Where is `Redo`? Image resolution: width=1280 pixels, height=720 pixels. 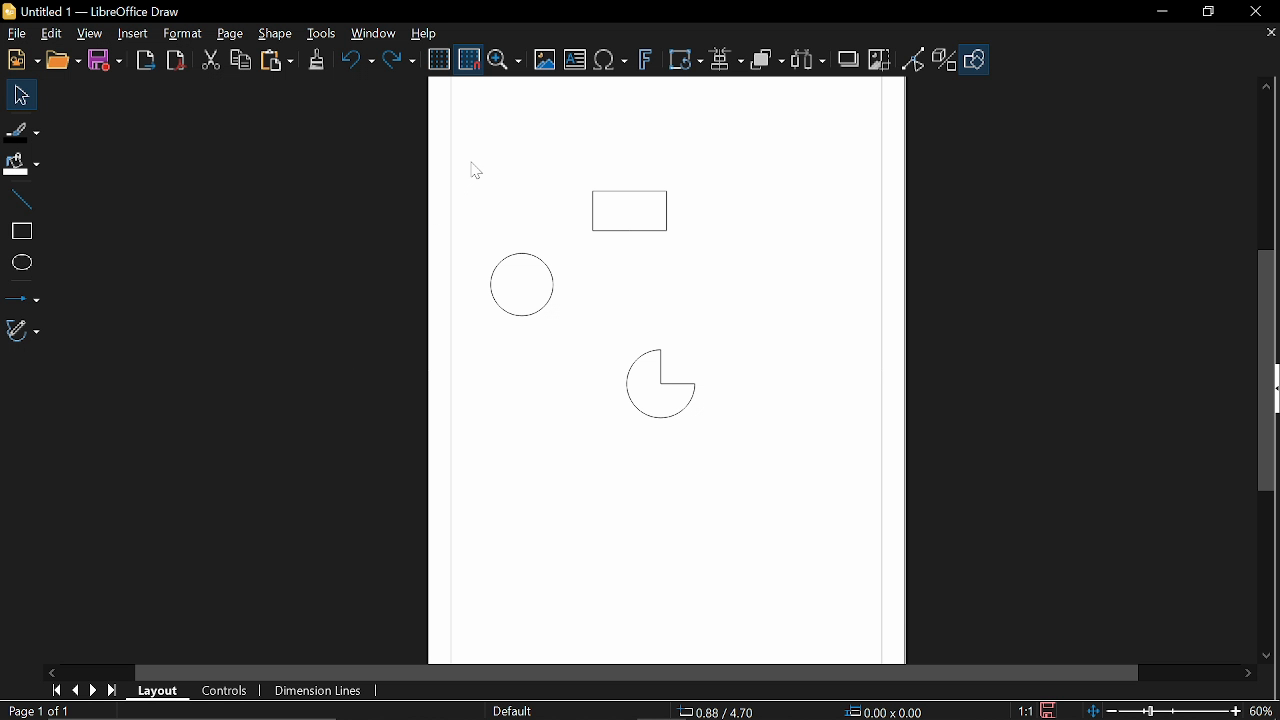 Redo is located at coordinates (400, 61).